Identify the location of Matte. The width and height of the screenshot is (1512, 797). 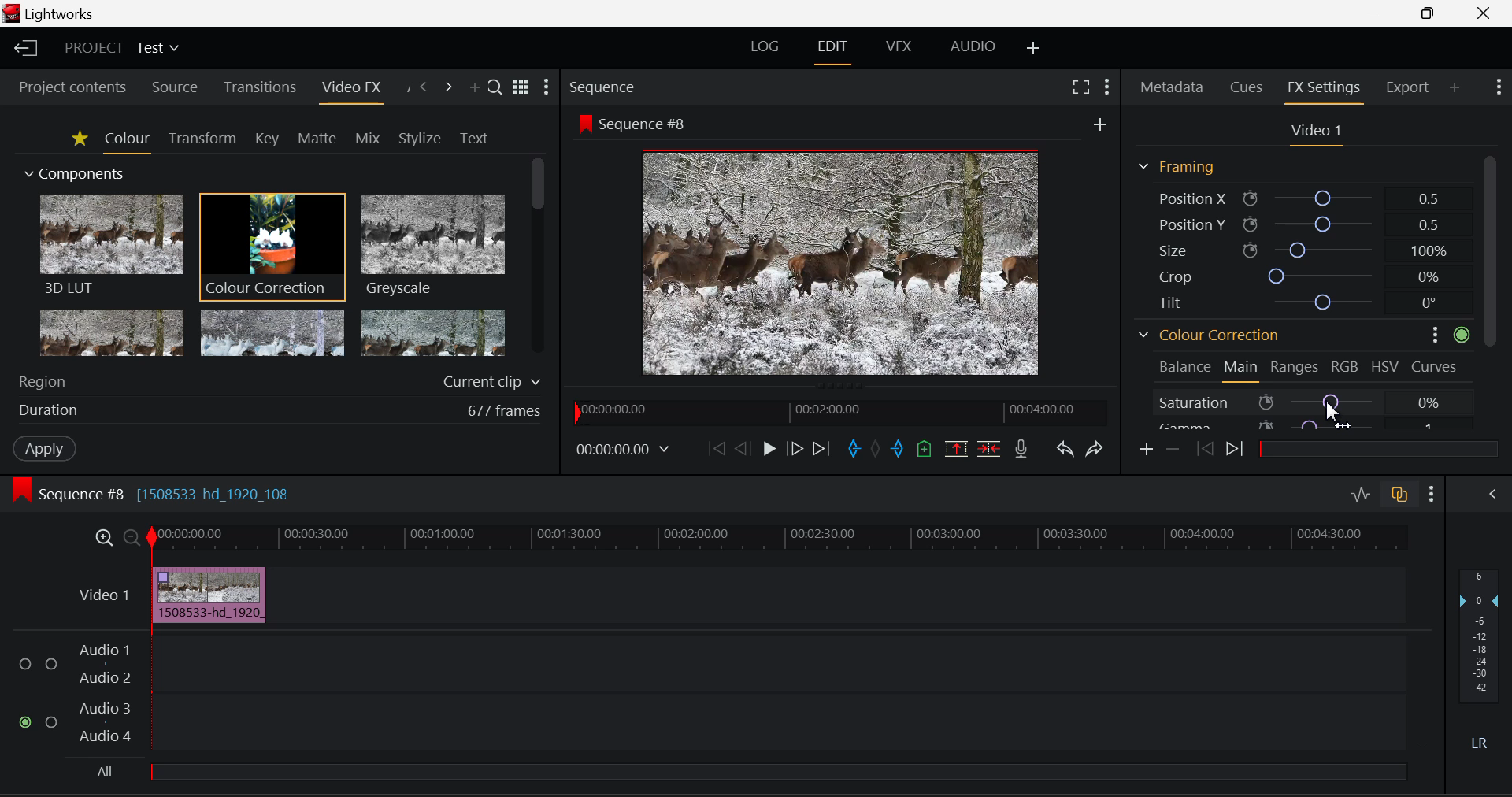
(317, 139).